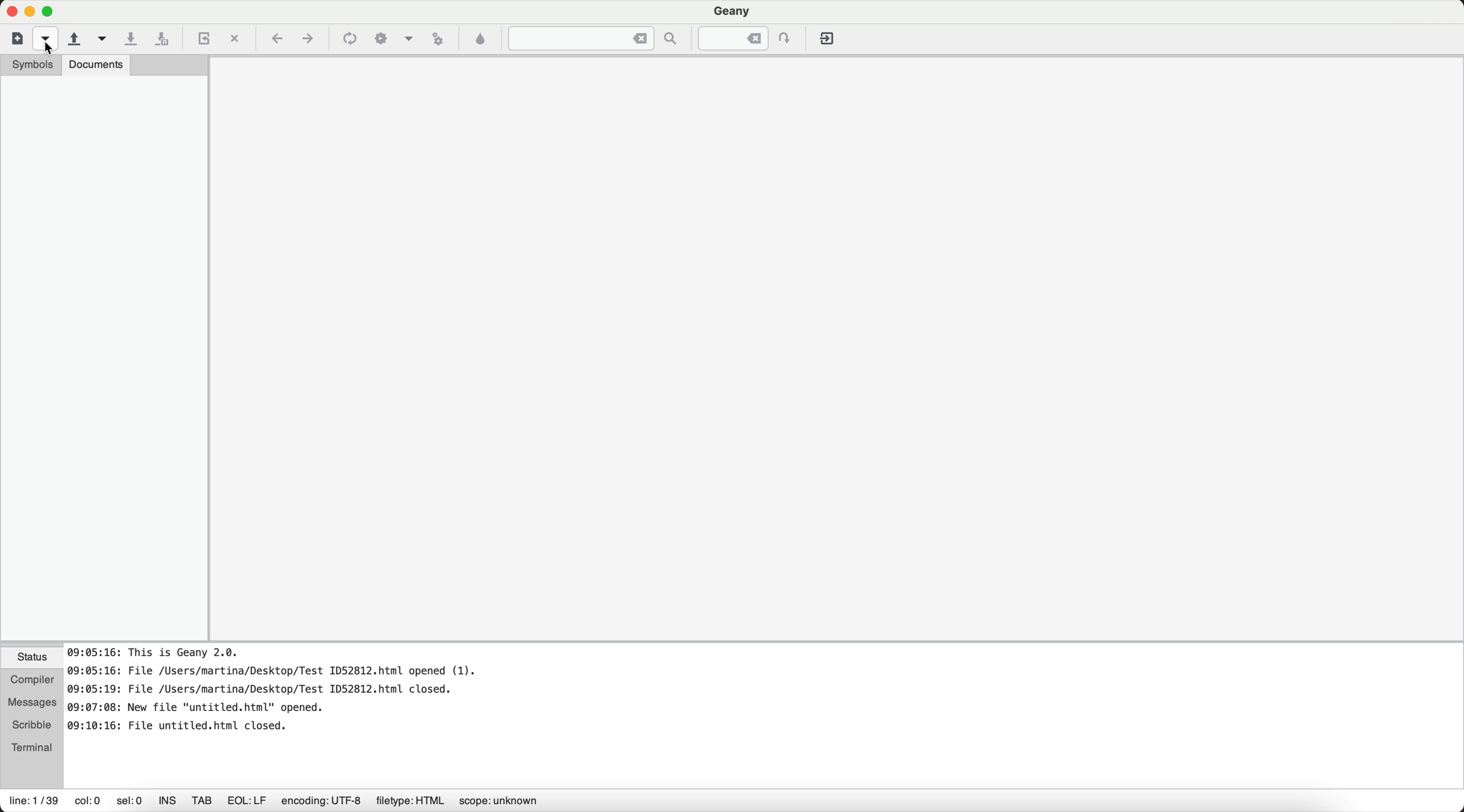 Image resolution: width=1464 pixels, height=812 pixels. I want to click on cursor on new file from a template, so click(47, 39).